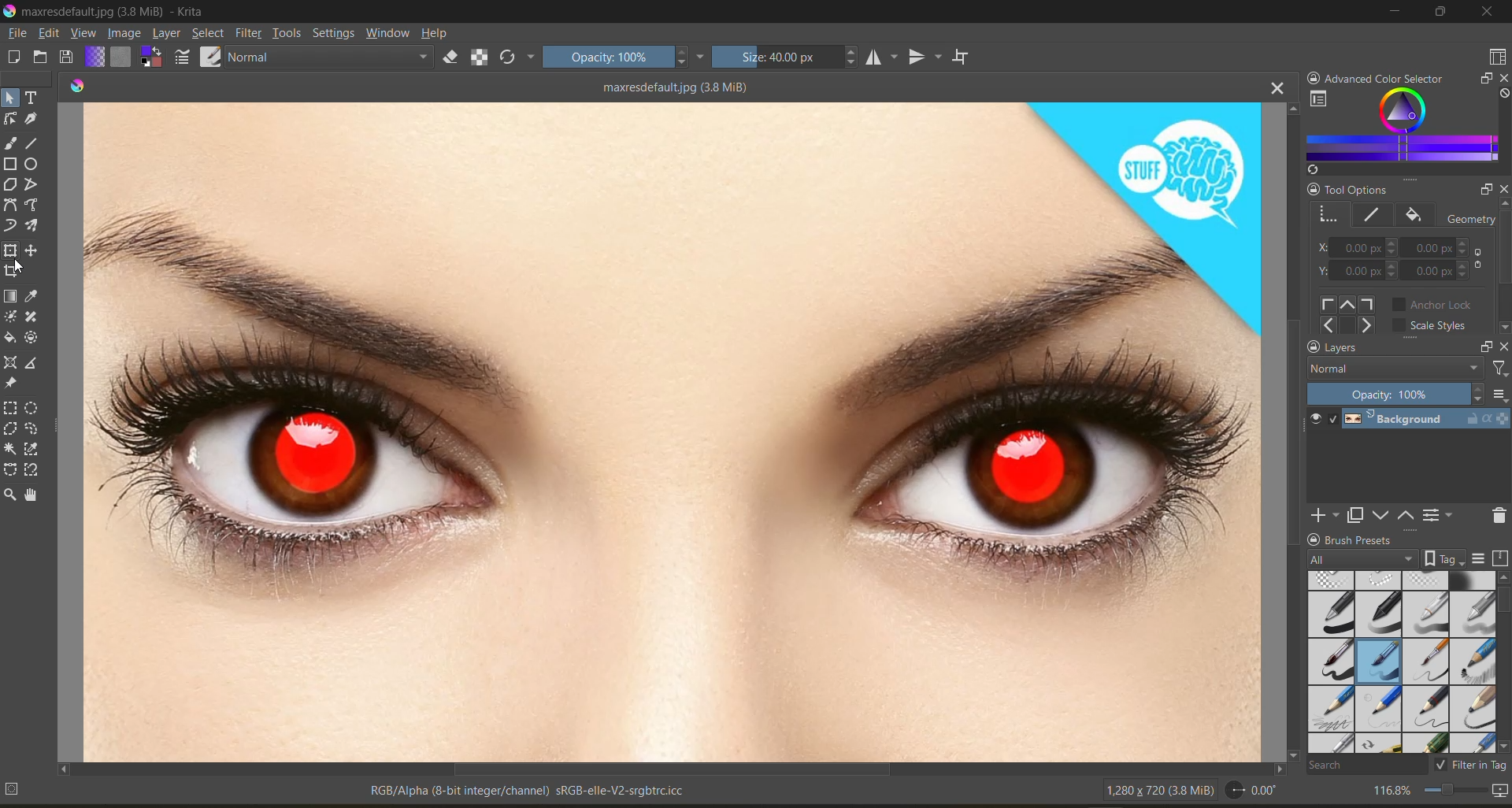 The image size is (1512, 808). Describe the element at coordinates (1499, 395) in the screenshot. I see `options` at that location.